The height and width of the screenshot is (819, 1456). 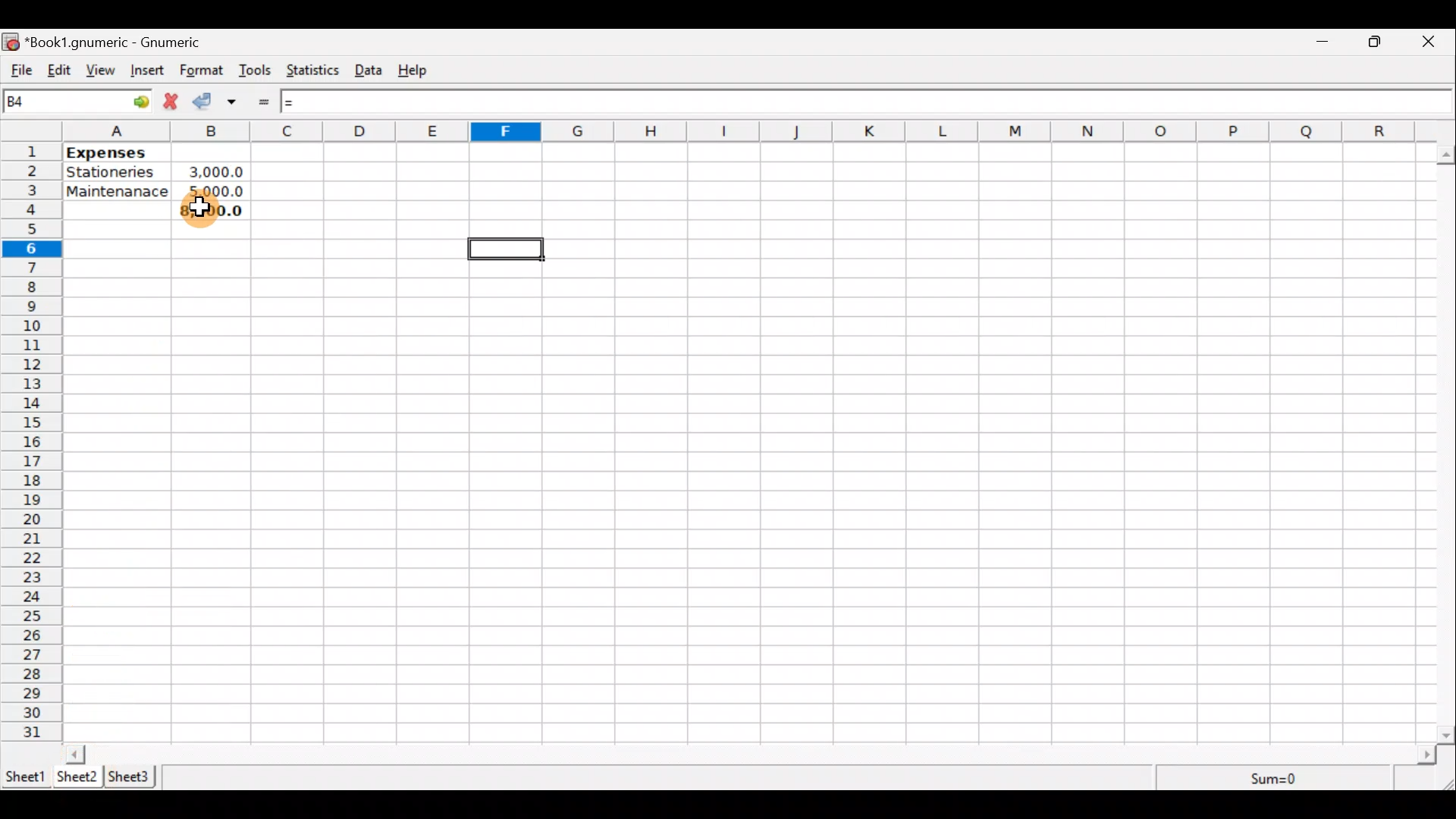 I want to click on Sum=0, so click(x=1276, y=780).